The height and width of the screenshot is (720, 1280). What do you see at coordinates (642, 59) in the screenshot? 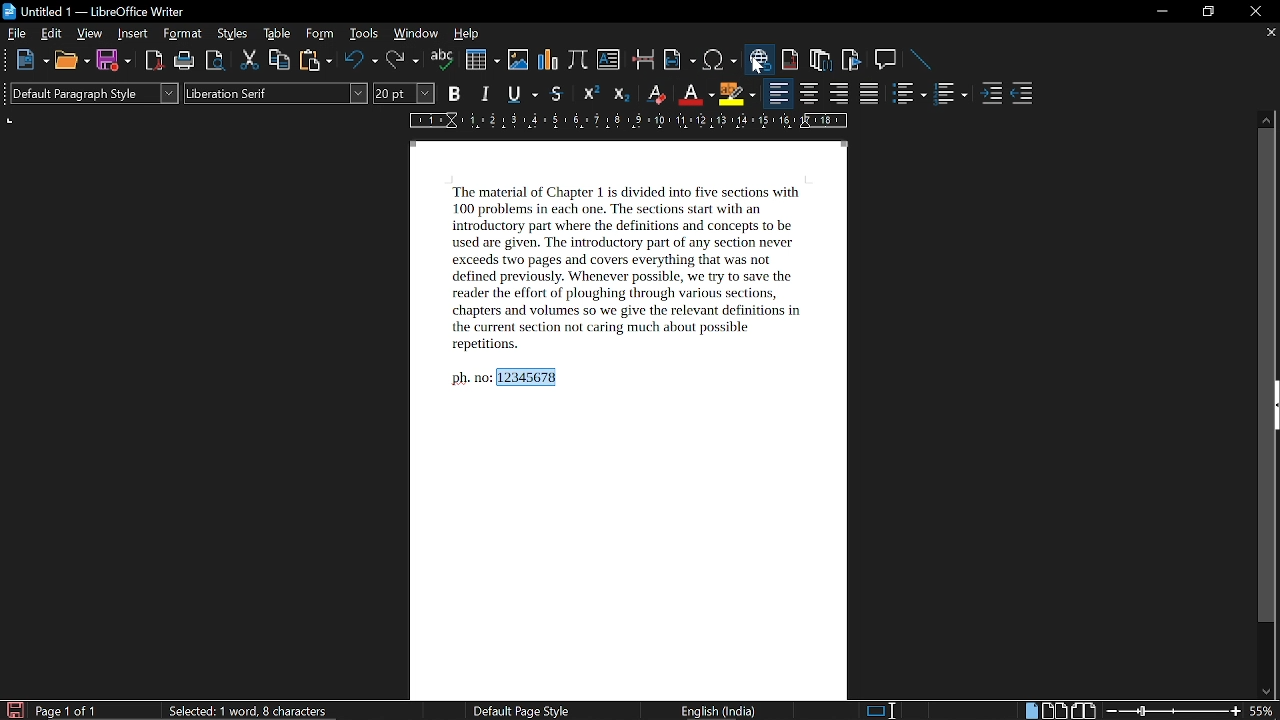
I see `insert pagebreak` at bounding box center [642, 59].